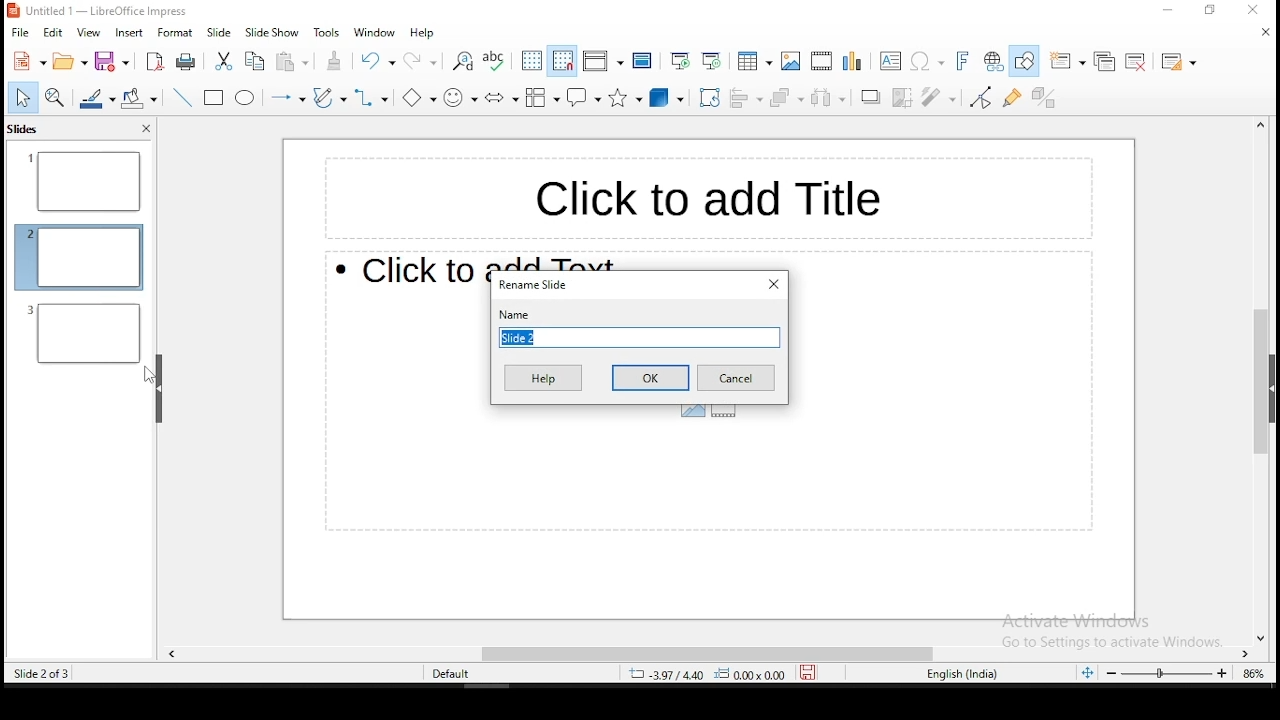 This screenshot has width=1280, height=720. What do you see at coordinates (1012, 98) in the screenshot?
I see `show gluepoint functions` at bounding box center [1012, 98].